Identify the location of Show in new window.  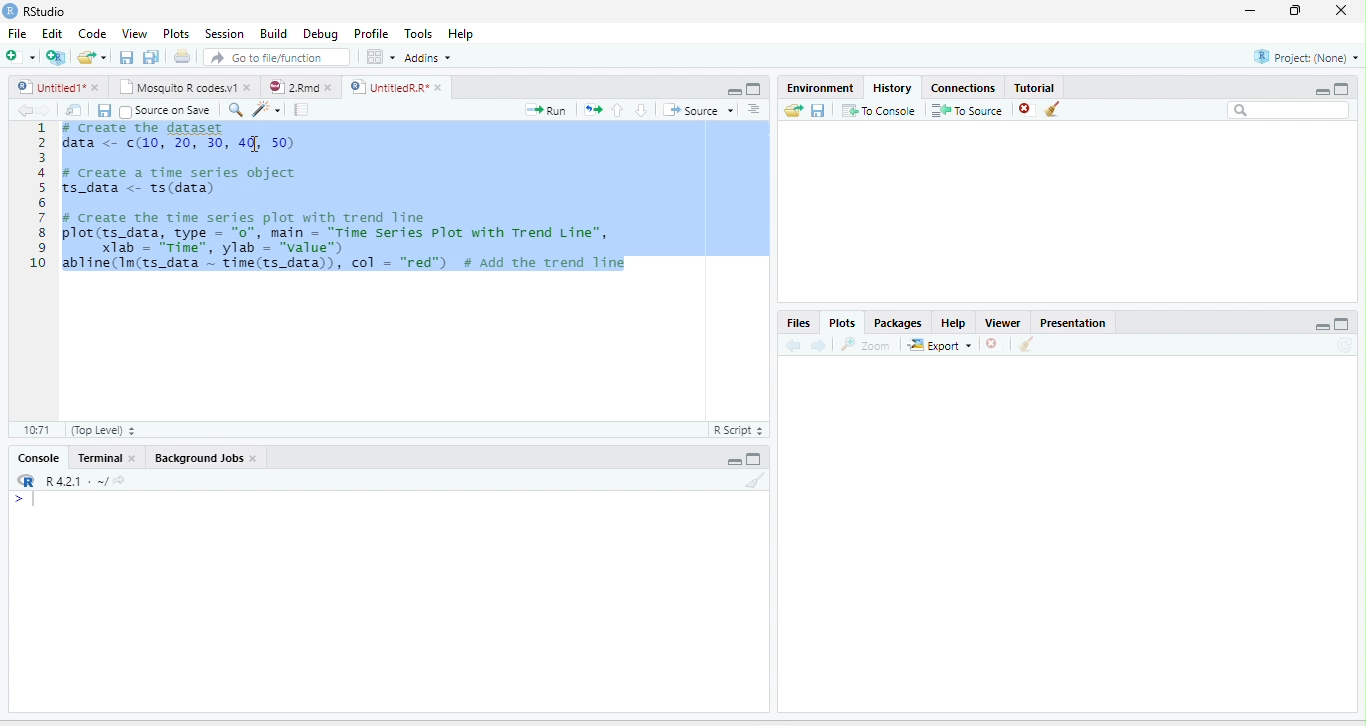
(74, 109).